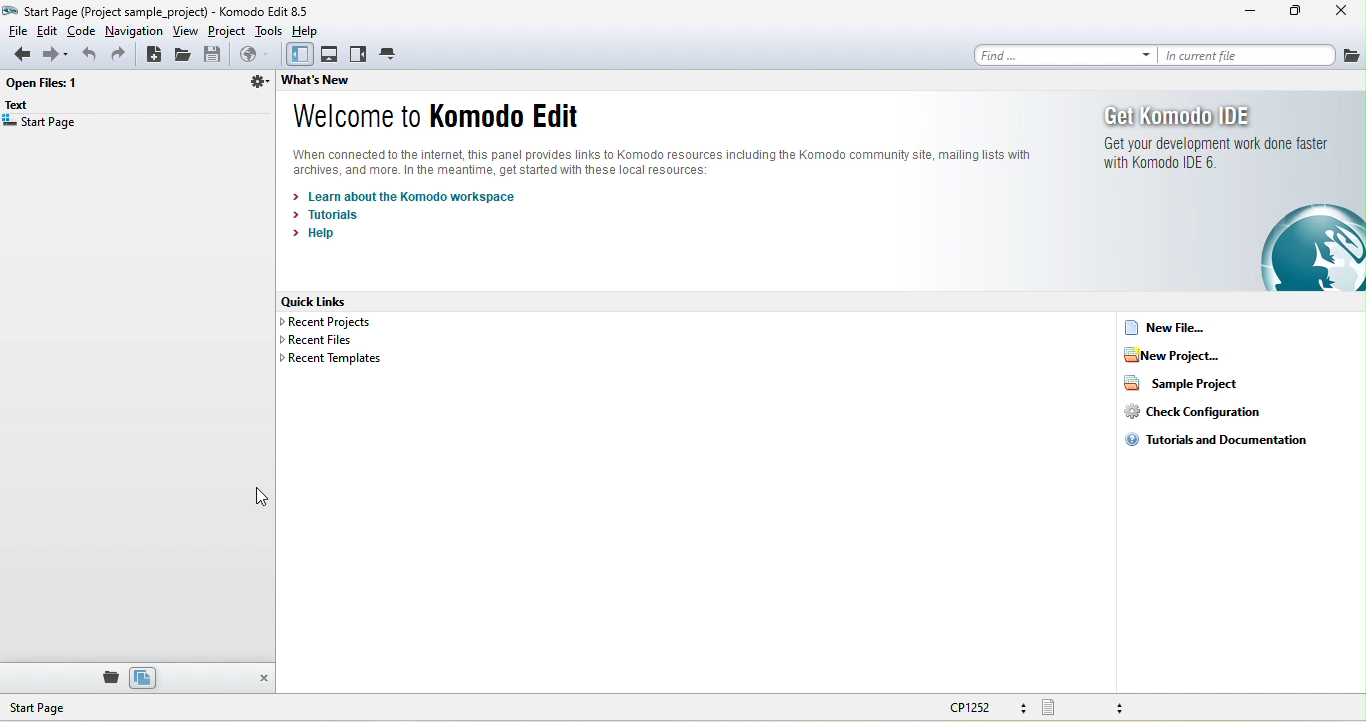 This screenshot has width=1366, height=722. Describe the element at coordinates (390, 53) in the screenshot. I see `tab` at that location.